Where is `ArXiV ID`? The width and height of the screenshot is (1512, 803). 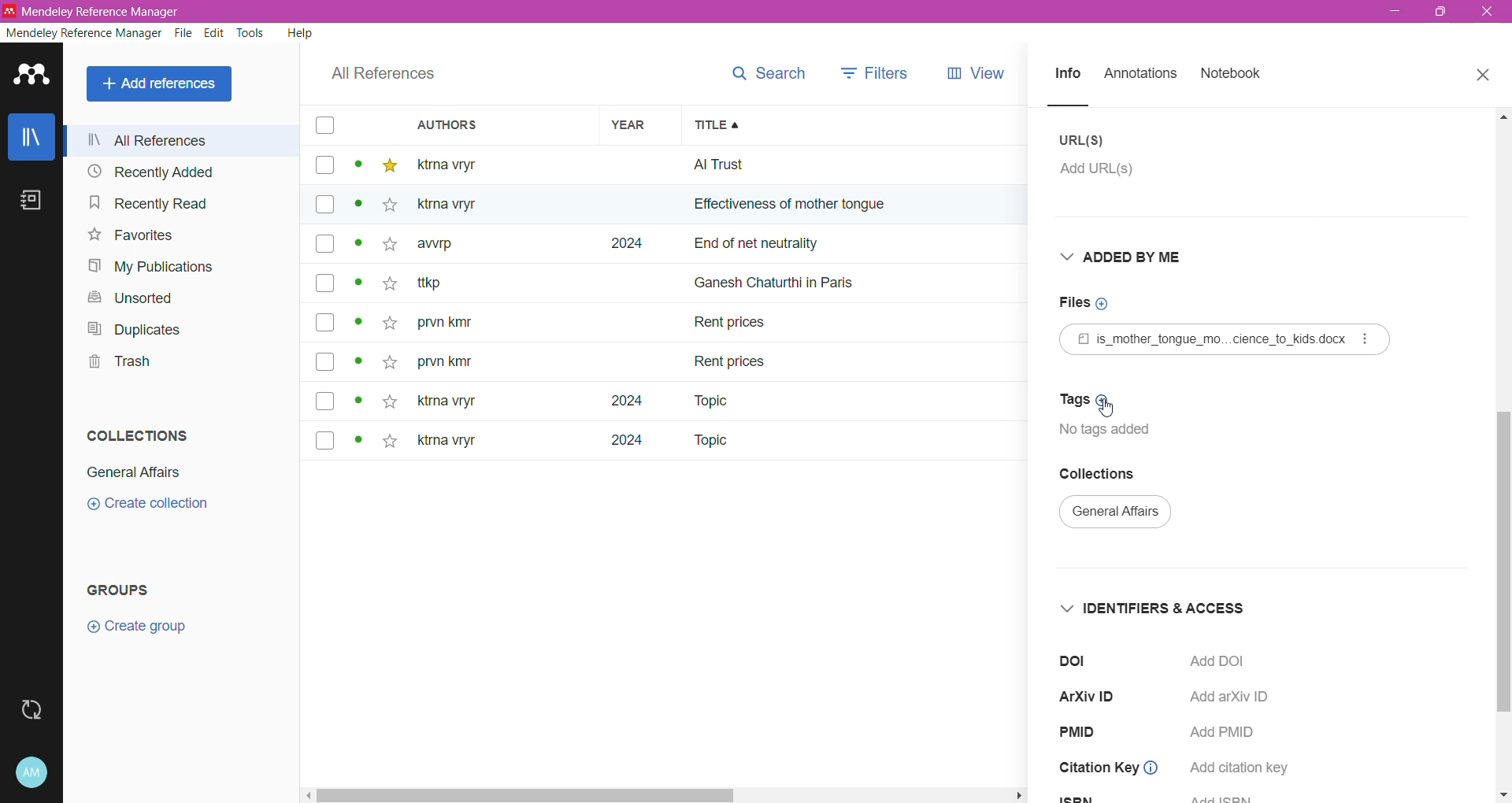 ArXiV ID is located at coordinates (1092, 697).